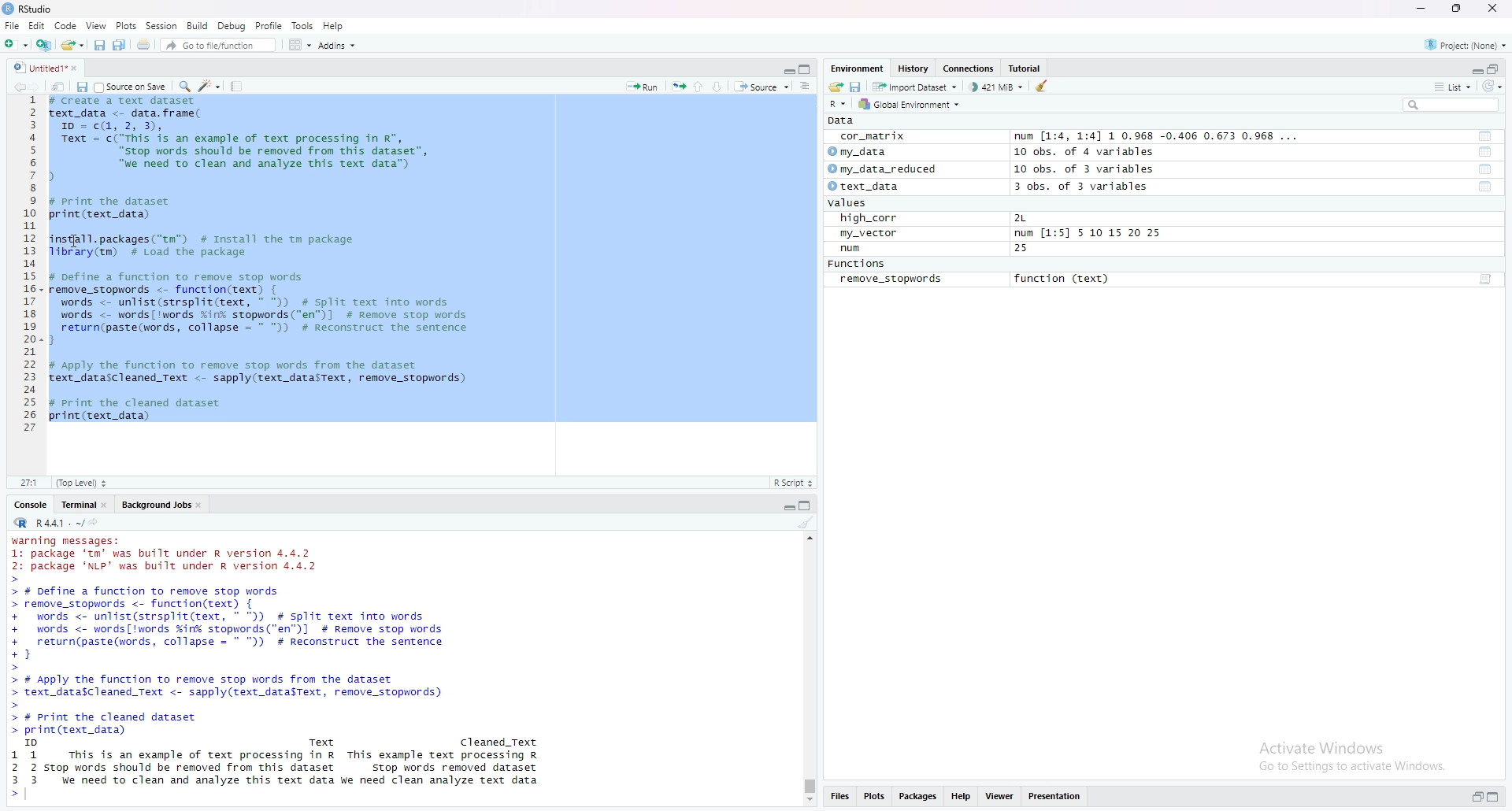 The image size is (1512, 811). What do you see at coordinates (1062, 279) in the screenshot?
I see `function(text)` at bounding box center [1062, 279].